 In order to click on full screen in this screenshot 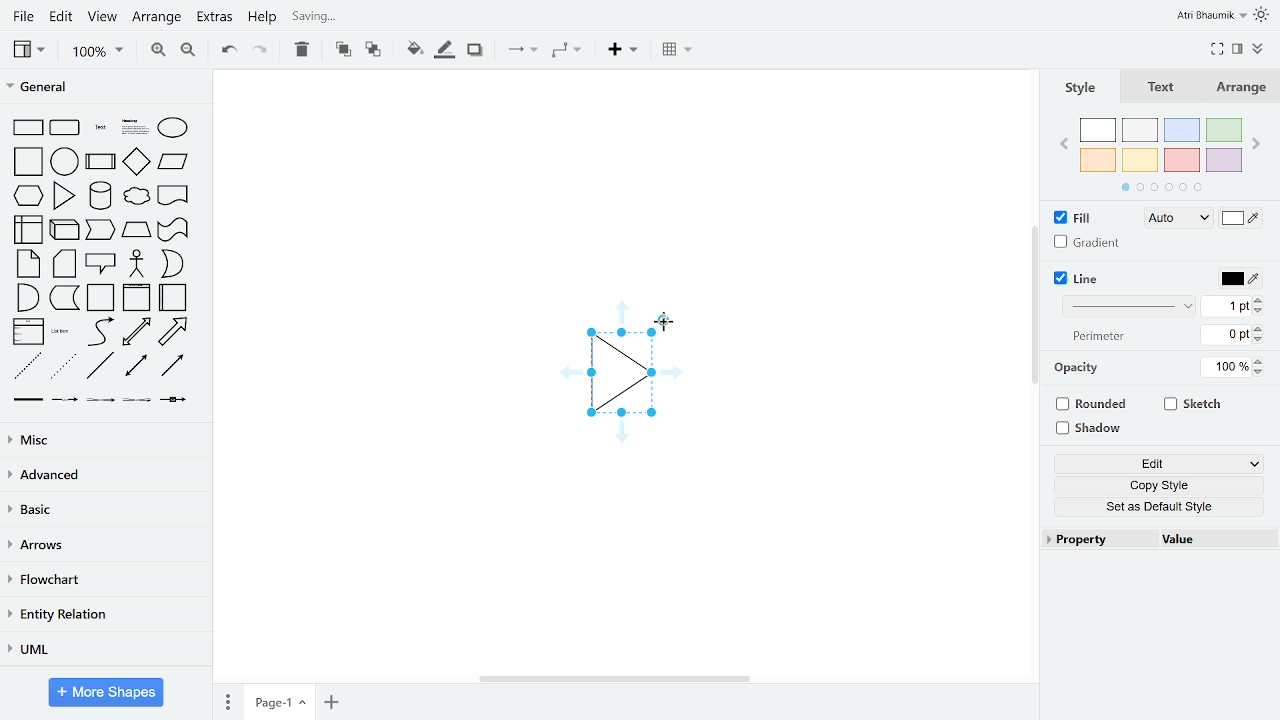, I will do `click(1218, 47)`.